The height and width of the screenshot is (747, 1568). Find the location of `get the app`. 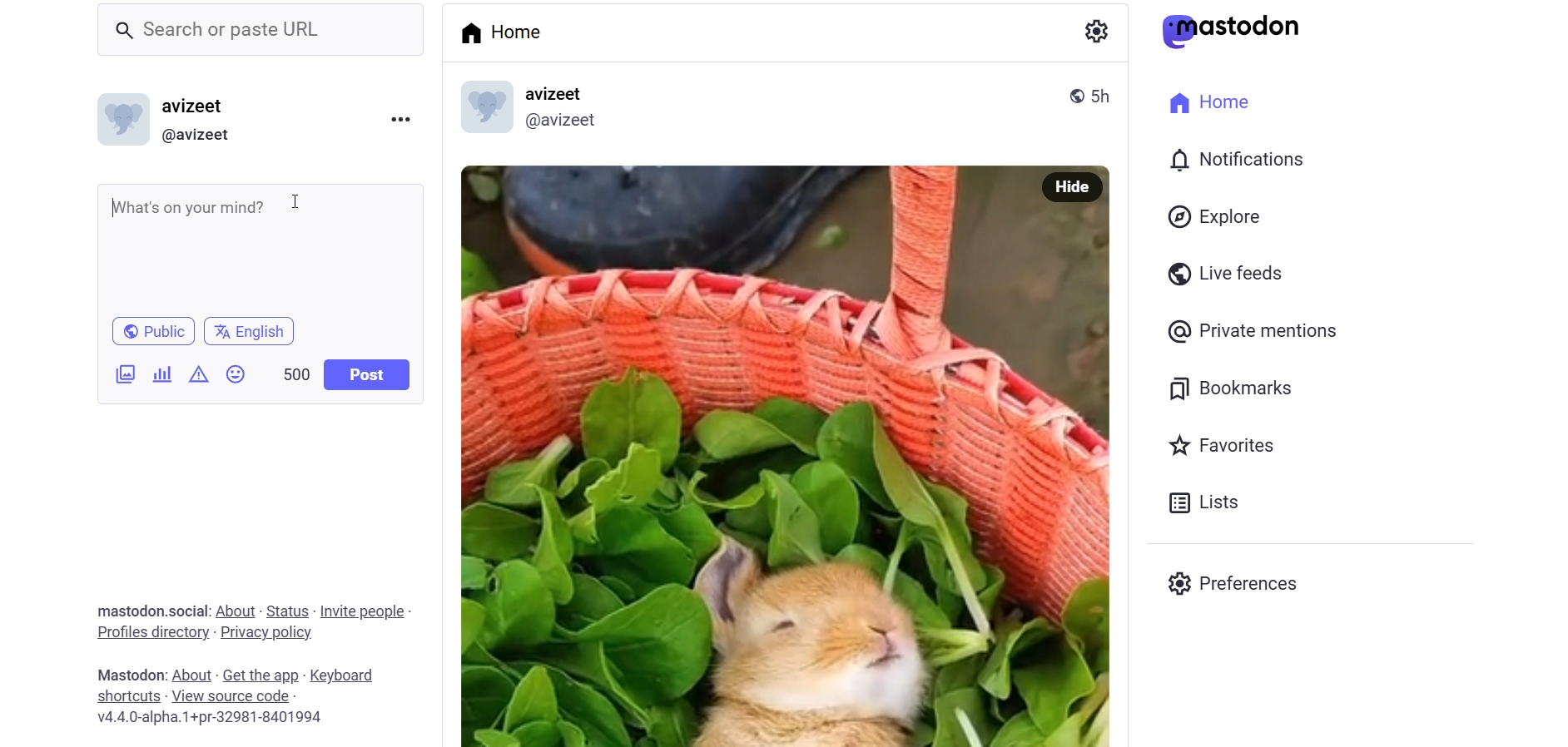

get the app is located at coordinates (261, 675).